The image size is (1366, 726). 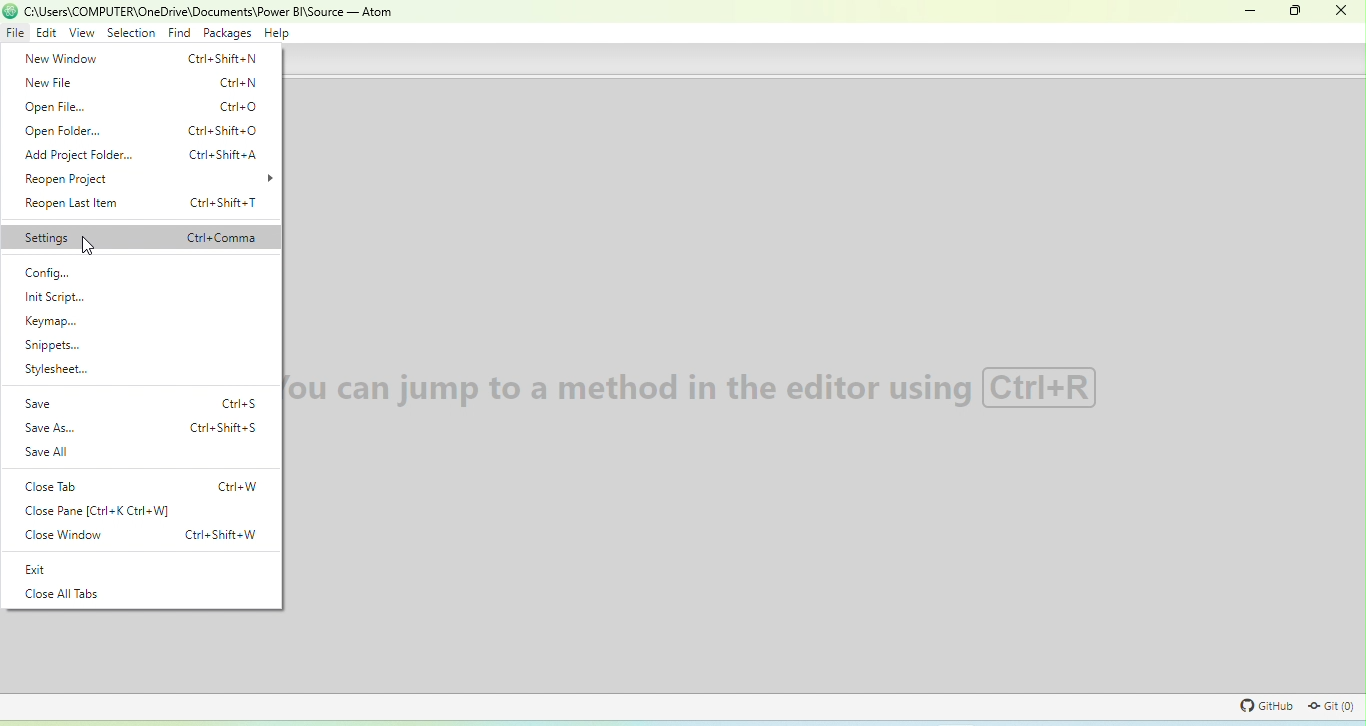 I want to click on keymap, so click(x=50, y=322).